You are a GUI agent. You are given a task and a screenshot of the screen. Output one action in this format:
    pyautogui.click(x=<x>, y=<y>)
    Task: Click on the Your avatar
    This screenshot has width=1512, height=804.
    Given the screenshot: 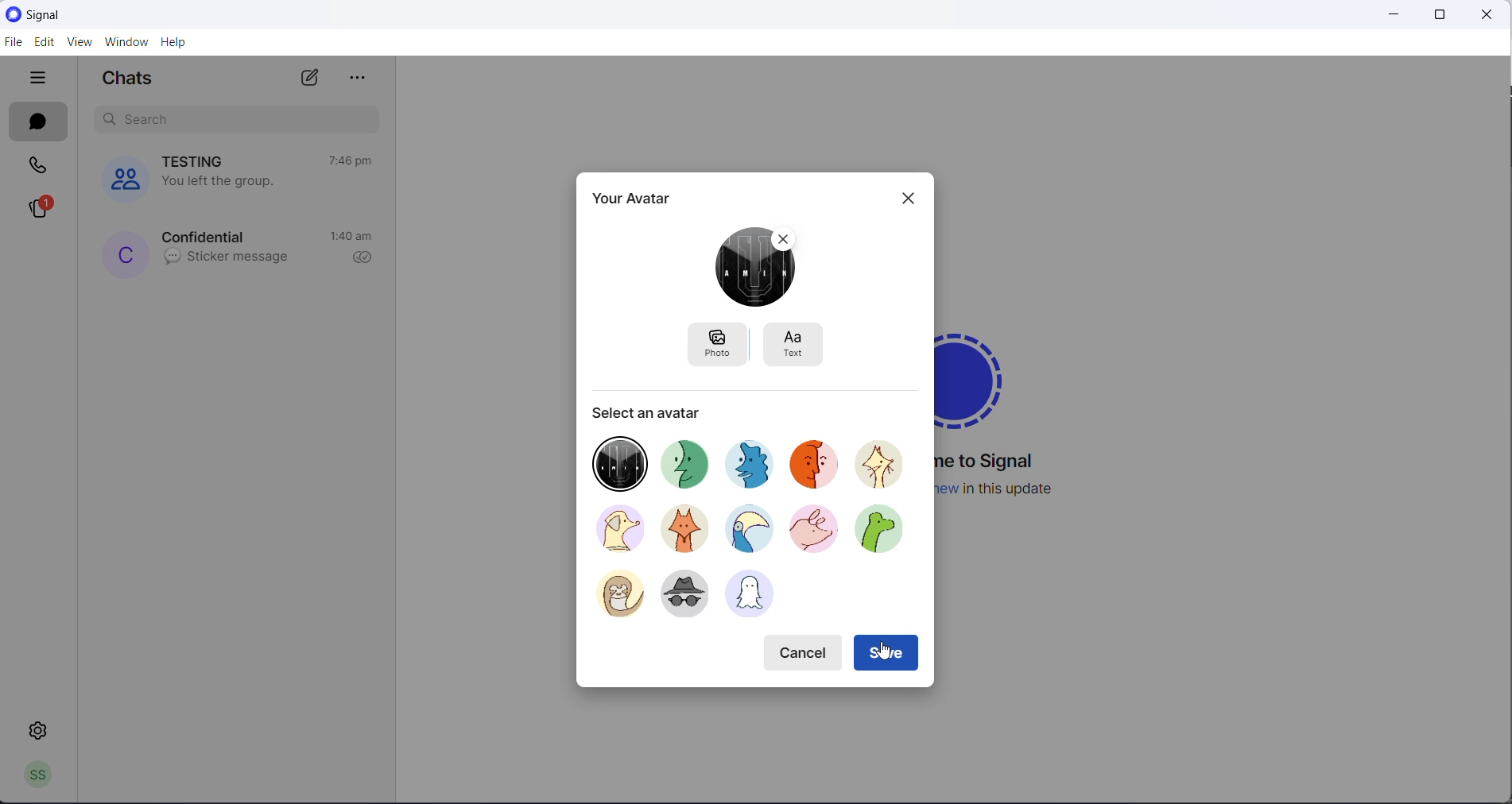 What is the action you would take?
    pyautogui.click(x=635, y=197)
    